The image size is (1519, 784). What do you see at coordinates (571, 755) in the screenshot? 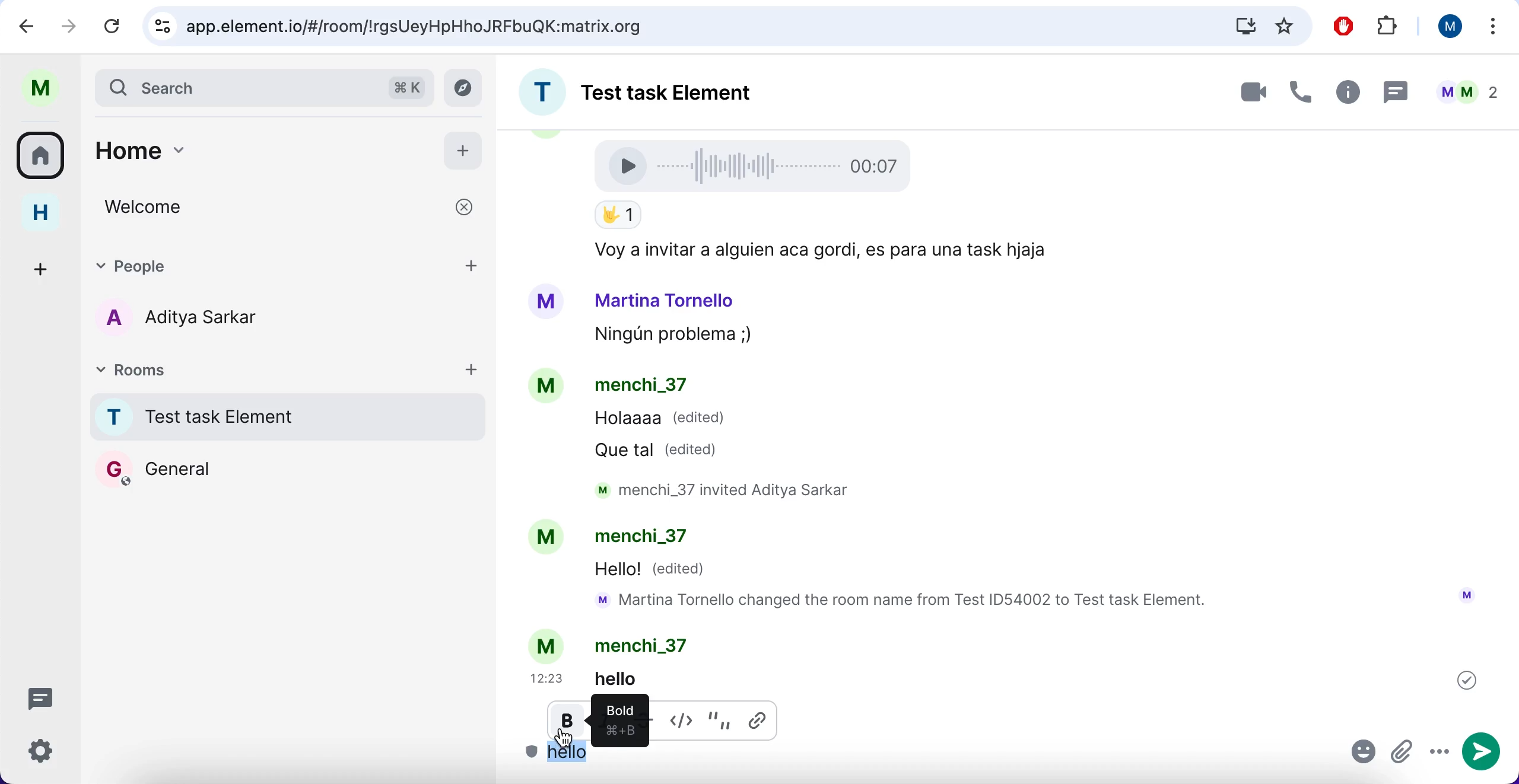
I see `typed message selected` at bounding box center [571, 755].